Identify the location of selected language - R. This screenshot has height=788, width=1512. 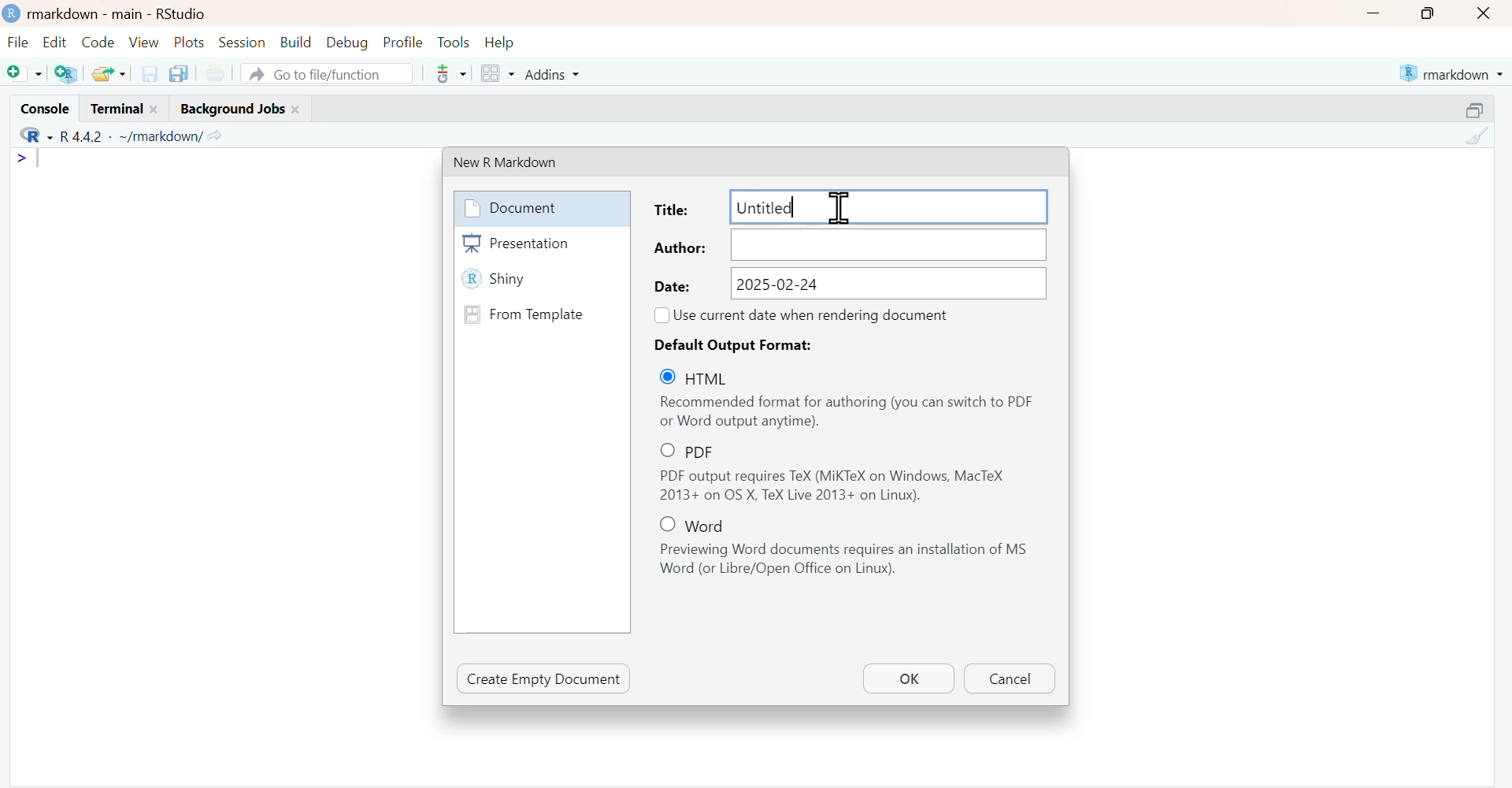
(31, 136).